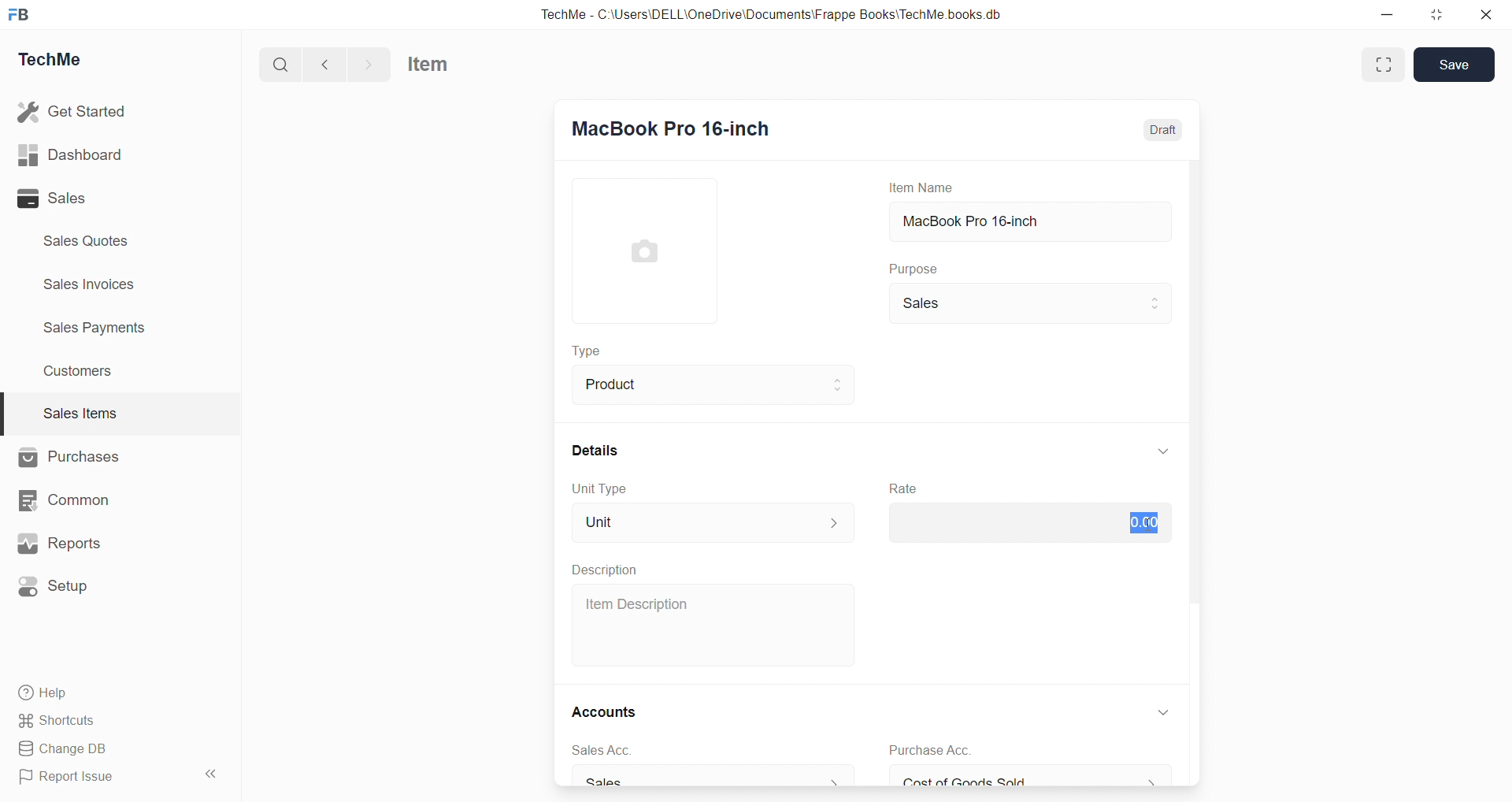  What do you see at coordinates (369, 64) in the screenshot?
I see `forward` at bounding box center [369, 64].